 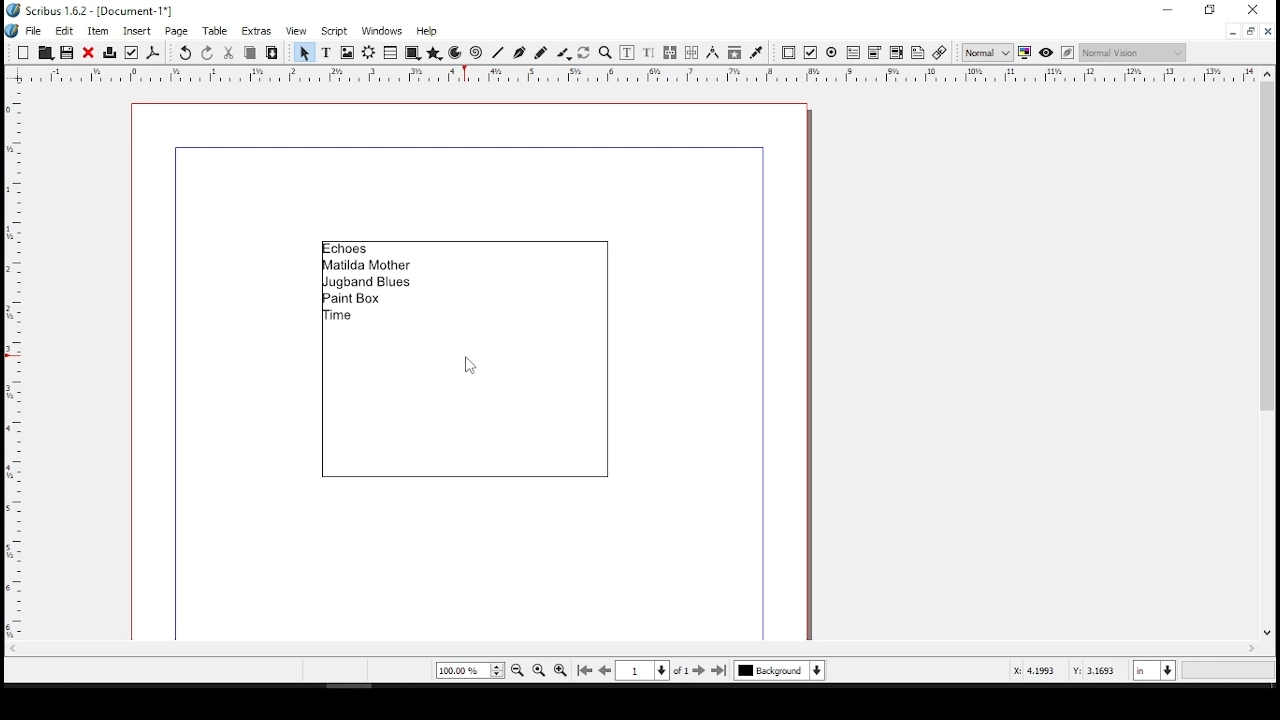 What do you see at coordinates (607, 52) in the screenshot?
I see `zoom in or out` at bounding box center [607, 52].